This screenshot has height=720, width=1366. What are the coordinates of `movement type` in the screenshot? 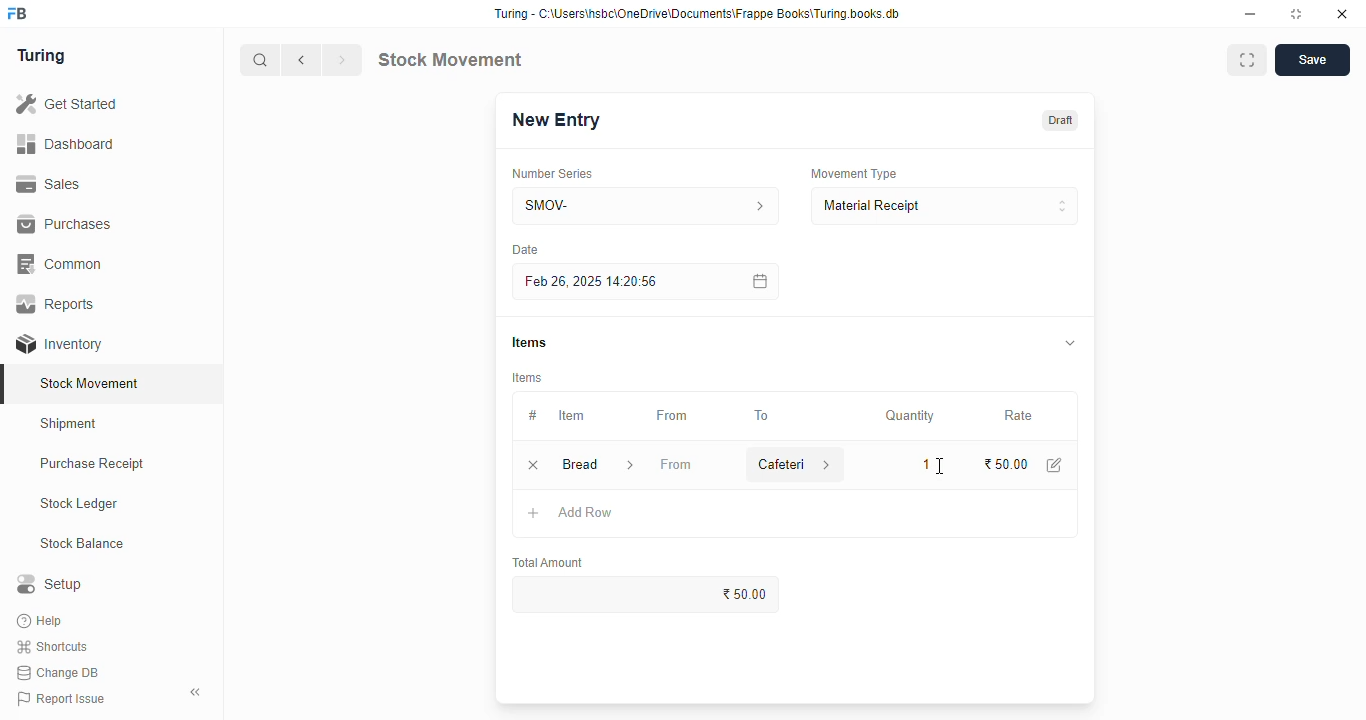 It's located at (853, 173).